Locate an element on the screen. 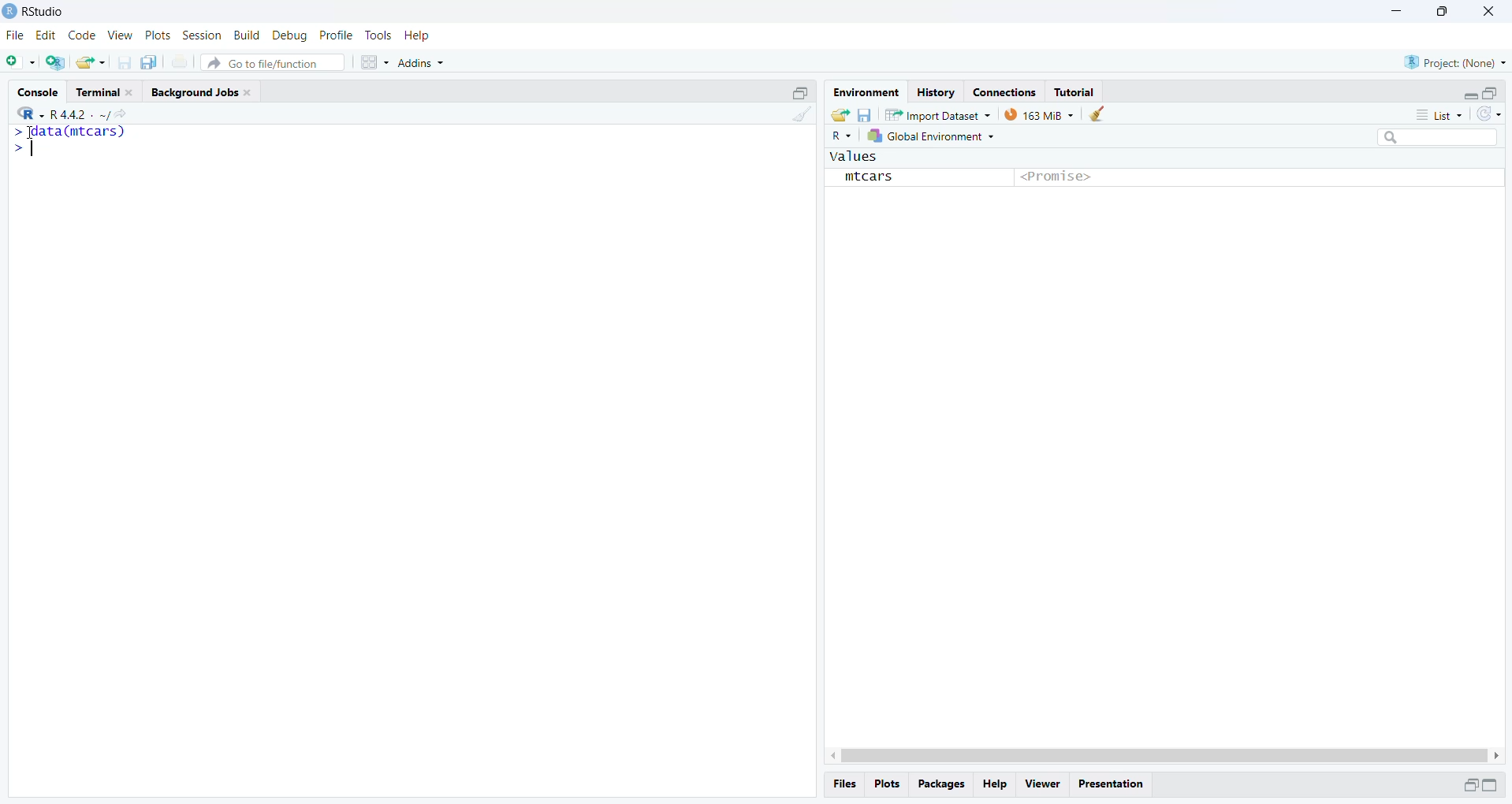 The image size is (1512, 804). clean is located at coordinates (1097, 114).